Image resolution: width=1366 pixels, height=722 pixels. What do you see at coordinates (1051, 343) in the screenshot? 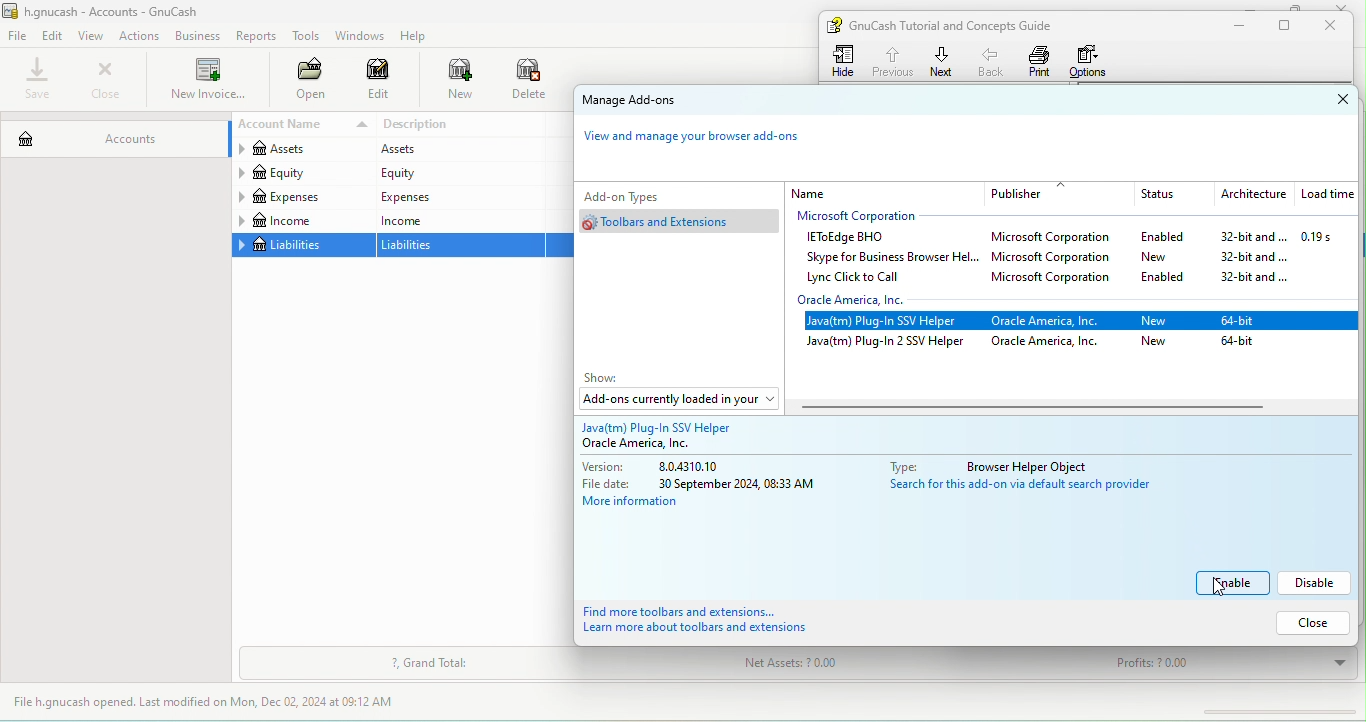
I see `oracle america lnc` at bounding box center [1051, 343].